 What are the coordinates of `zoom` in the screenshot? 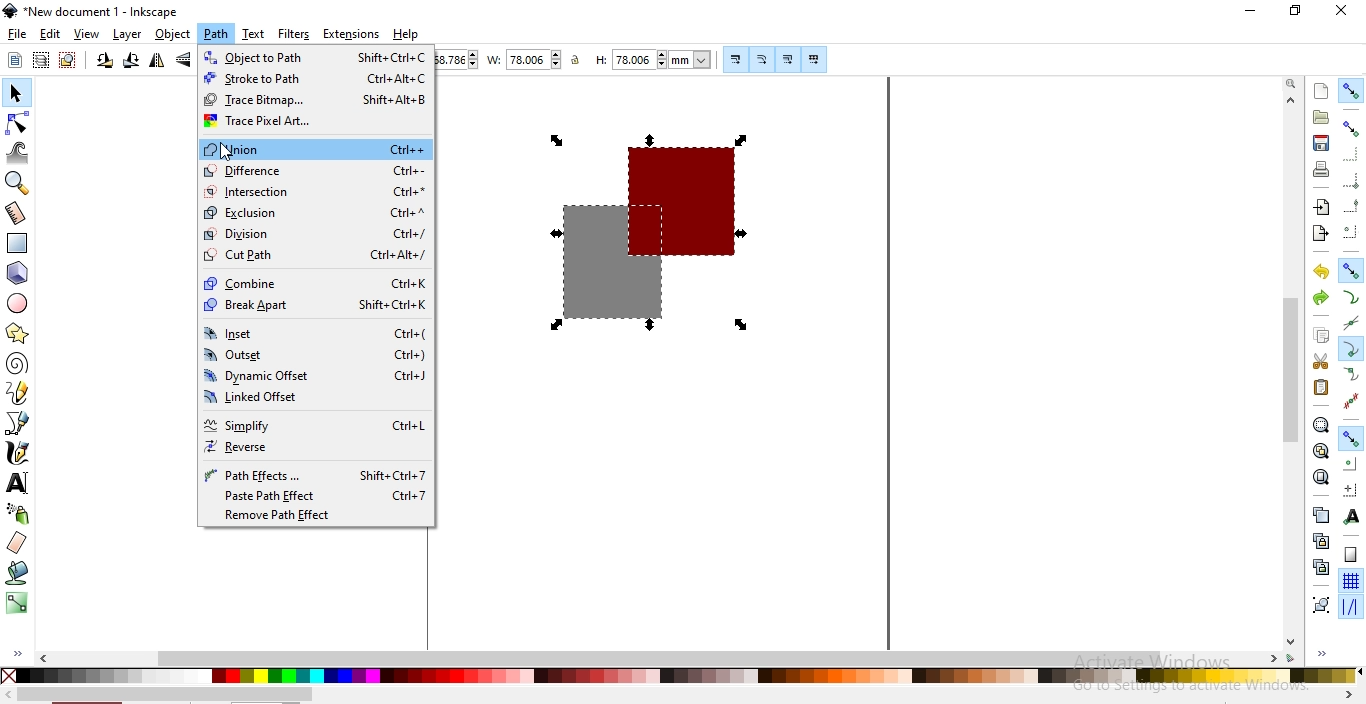 It's located at (1291, 84).